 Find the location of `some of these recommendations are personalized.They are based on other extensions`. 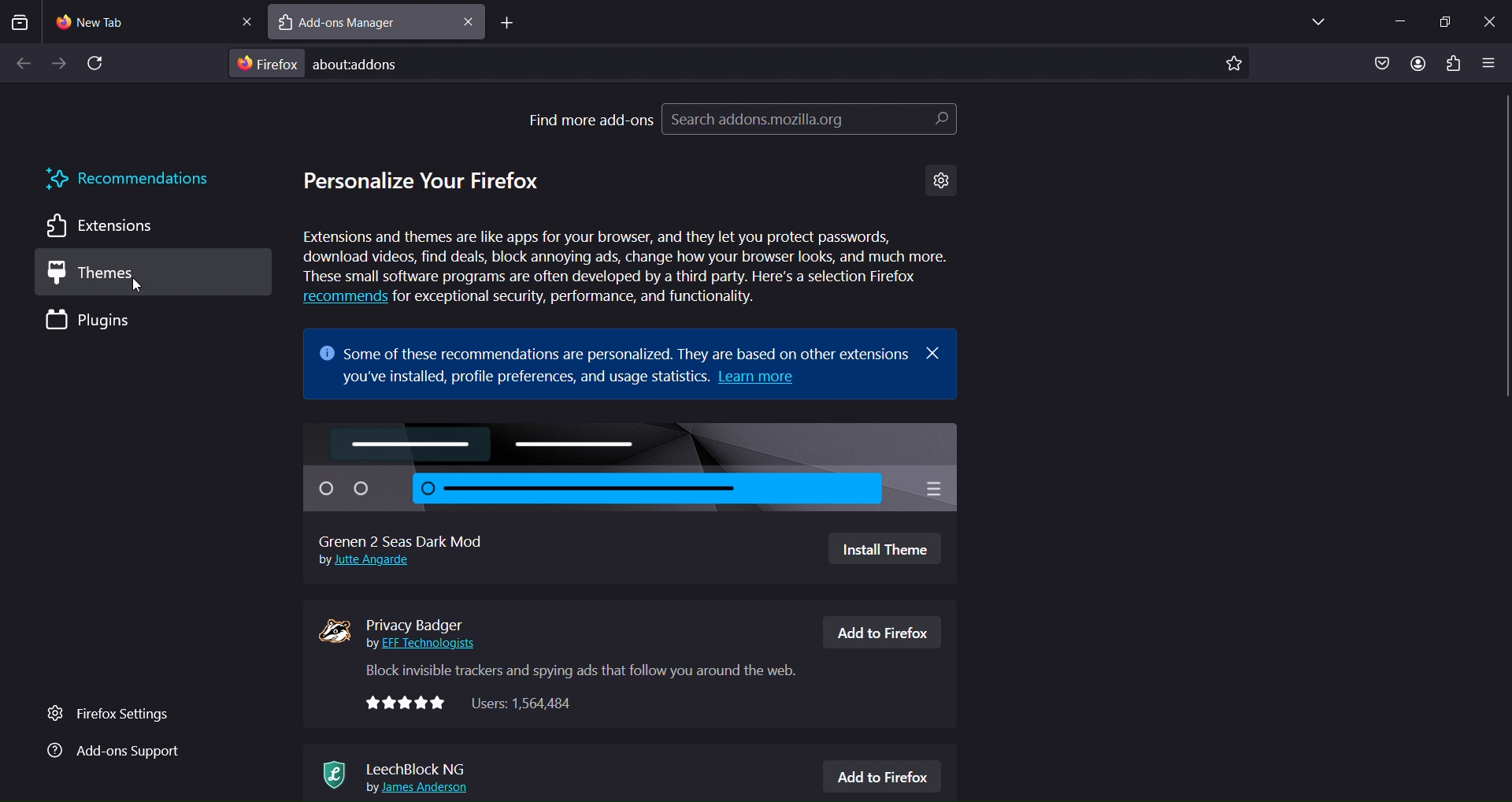

some of these recommendations are personalized.They are based on other extensions is located at coordinates (615, 350).